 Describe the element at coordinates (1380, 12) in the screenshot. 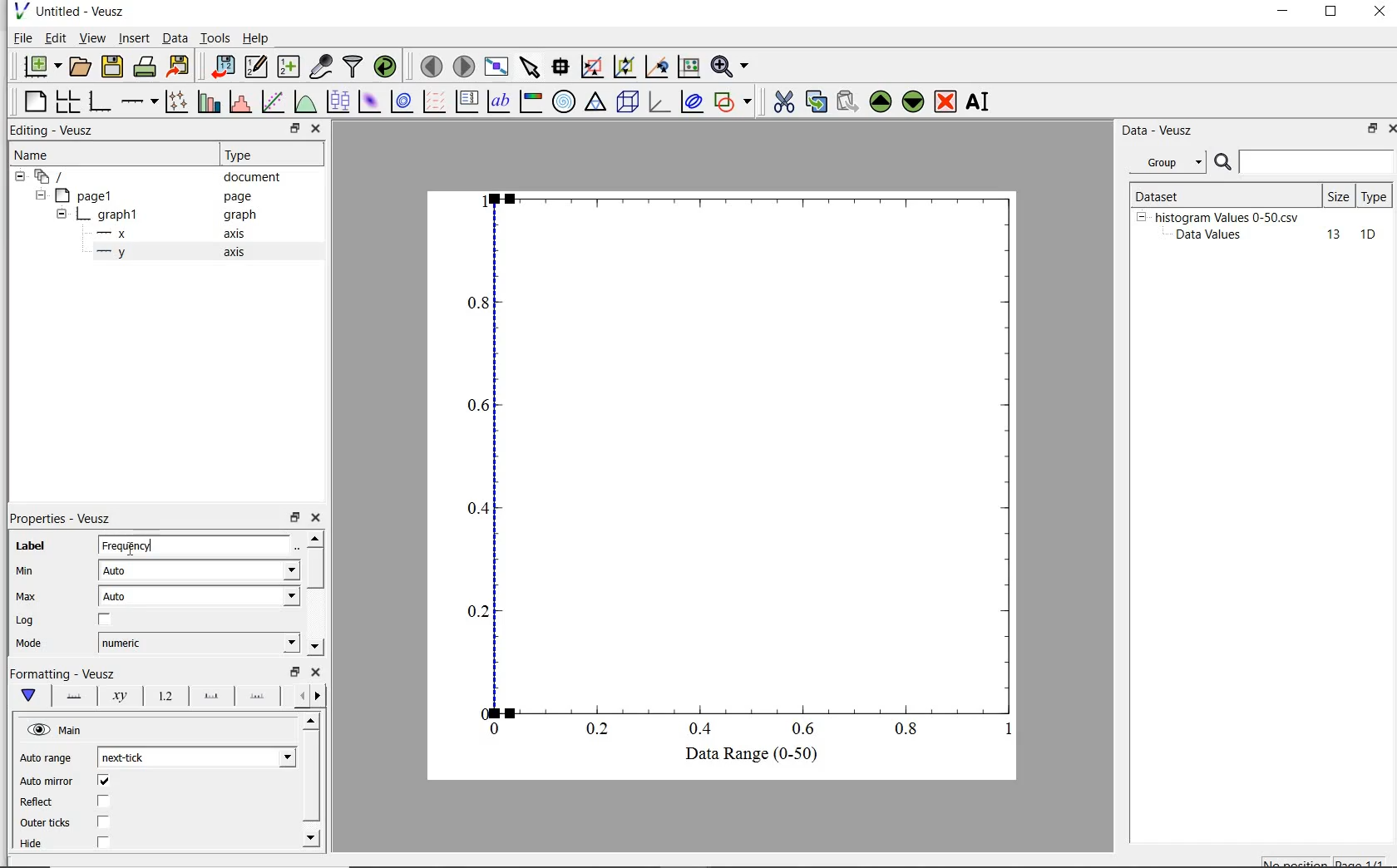

I see `close` at that location.